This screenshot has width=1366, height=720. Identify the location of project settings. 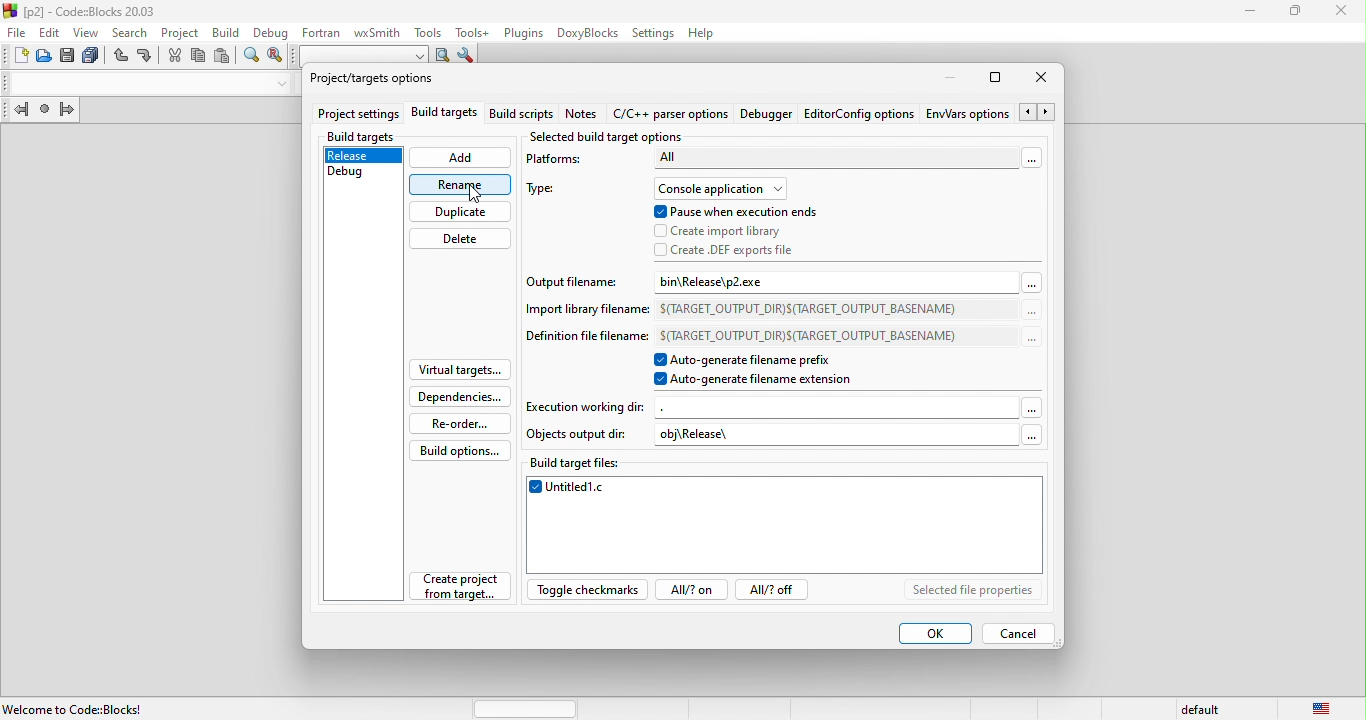
(358, 113).